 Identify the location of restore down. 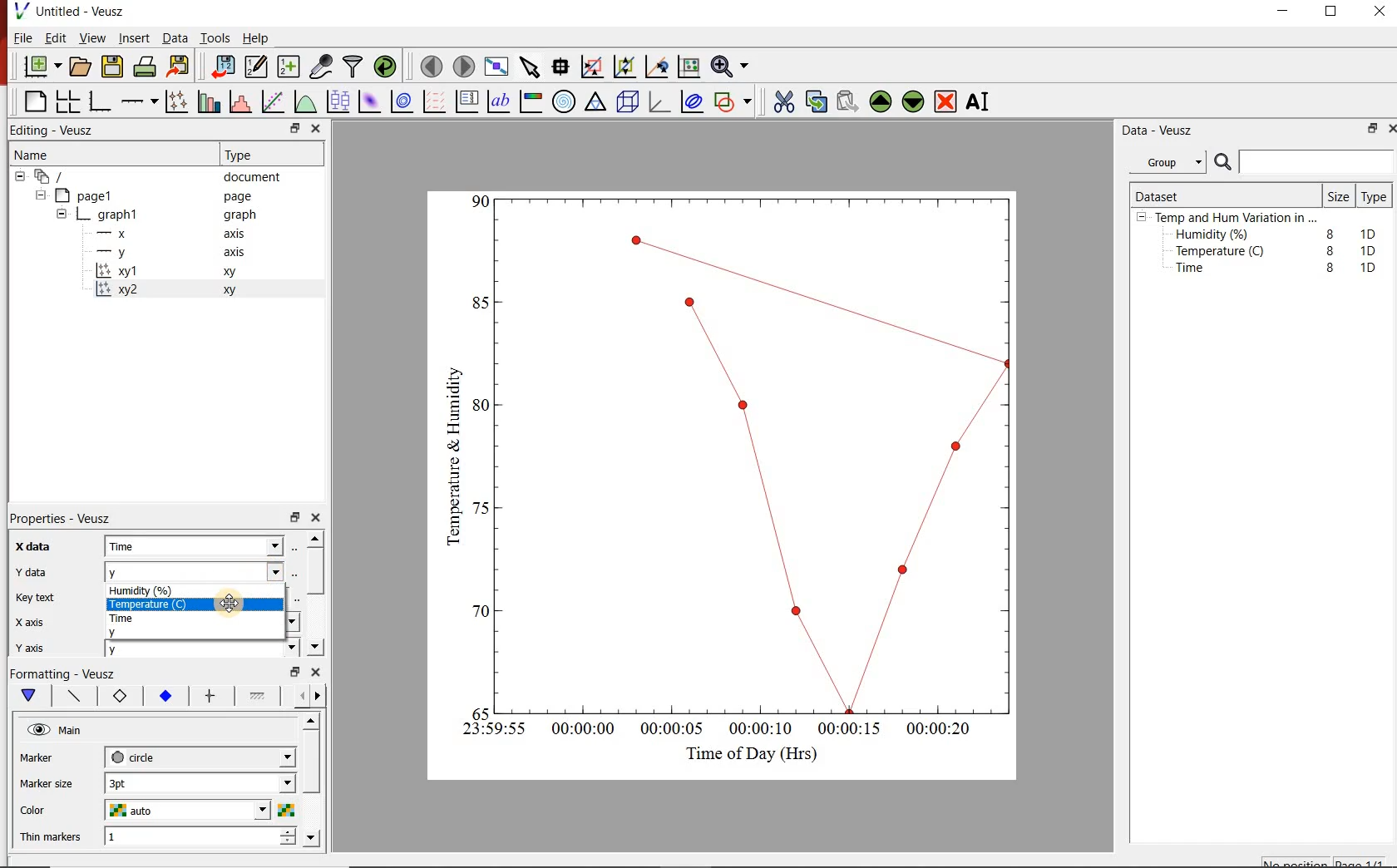
(294, 518).